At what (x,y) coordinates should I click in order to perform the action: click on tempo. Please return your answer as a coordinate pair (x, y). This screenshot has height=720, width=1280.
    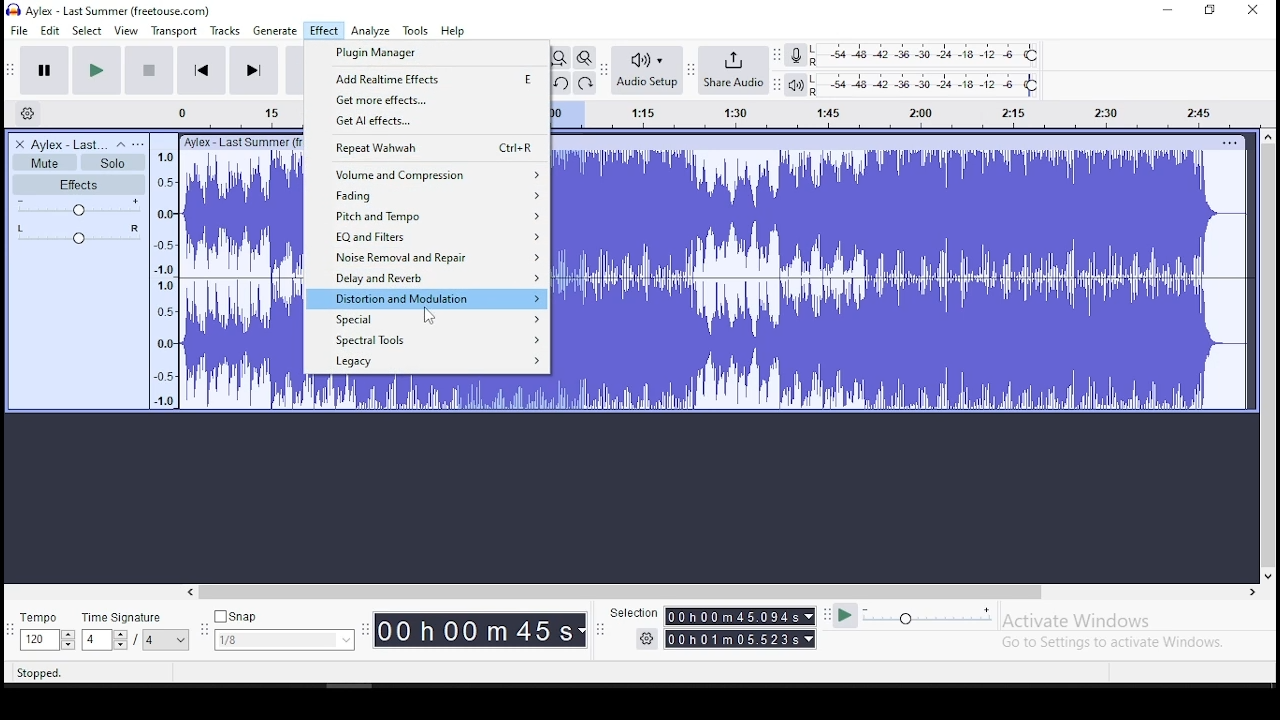
    Looking at the image, I should click on (45, 633).